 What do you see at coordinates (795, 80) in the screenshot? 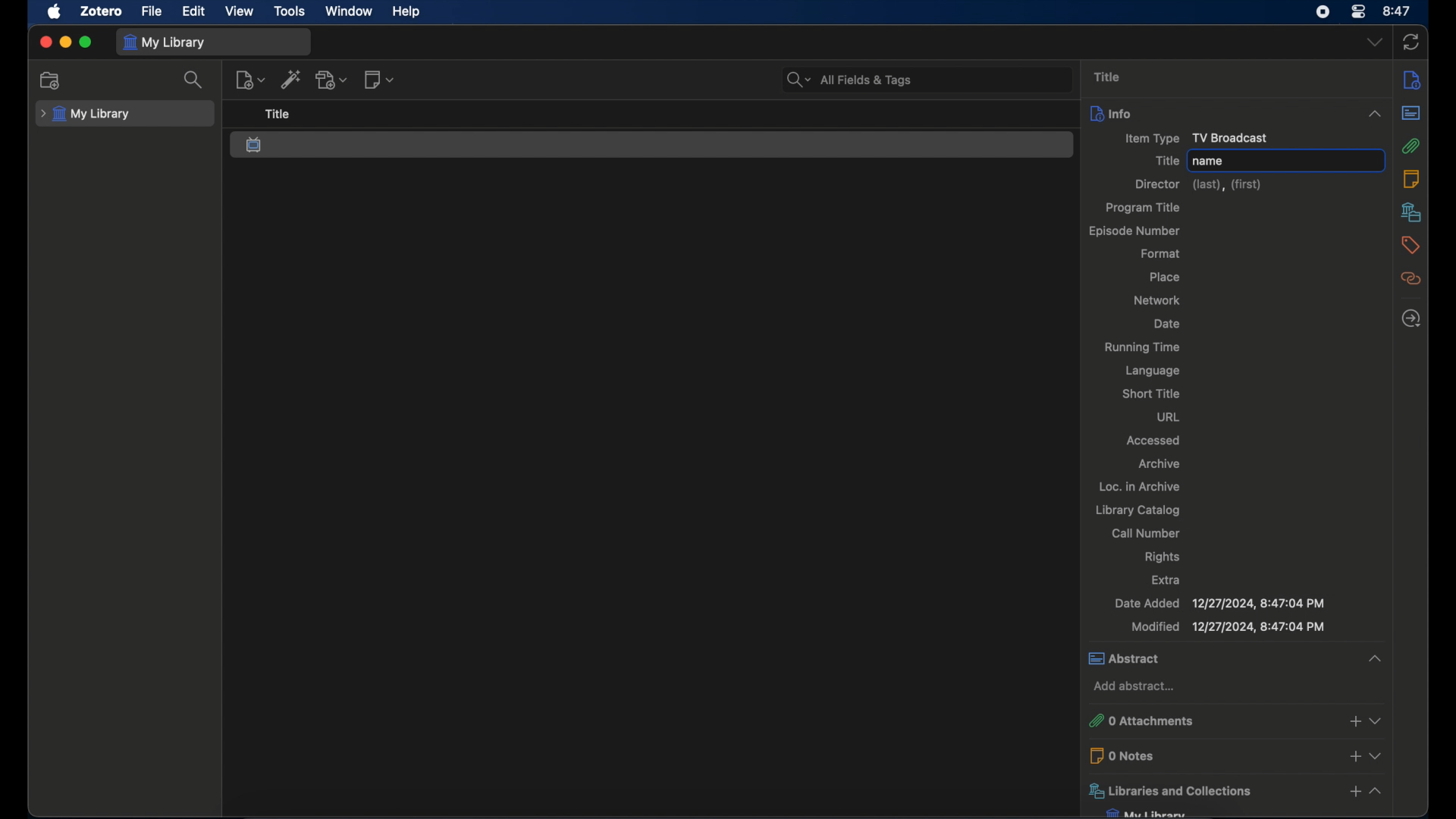
I see `search dropdown` at bounding box center [795, 80].